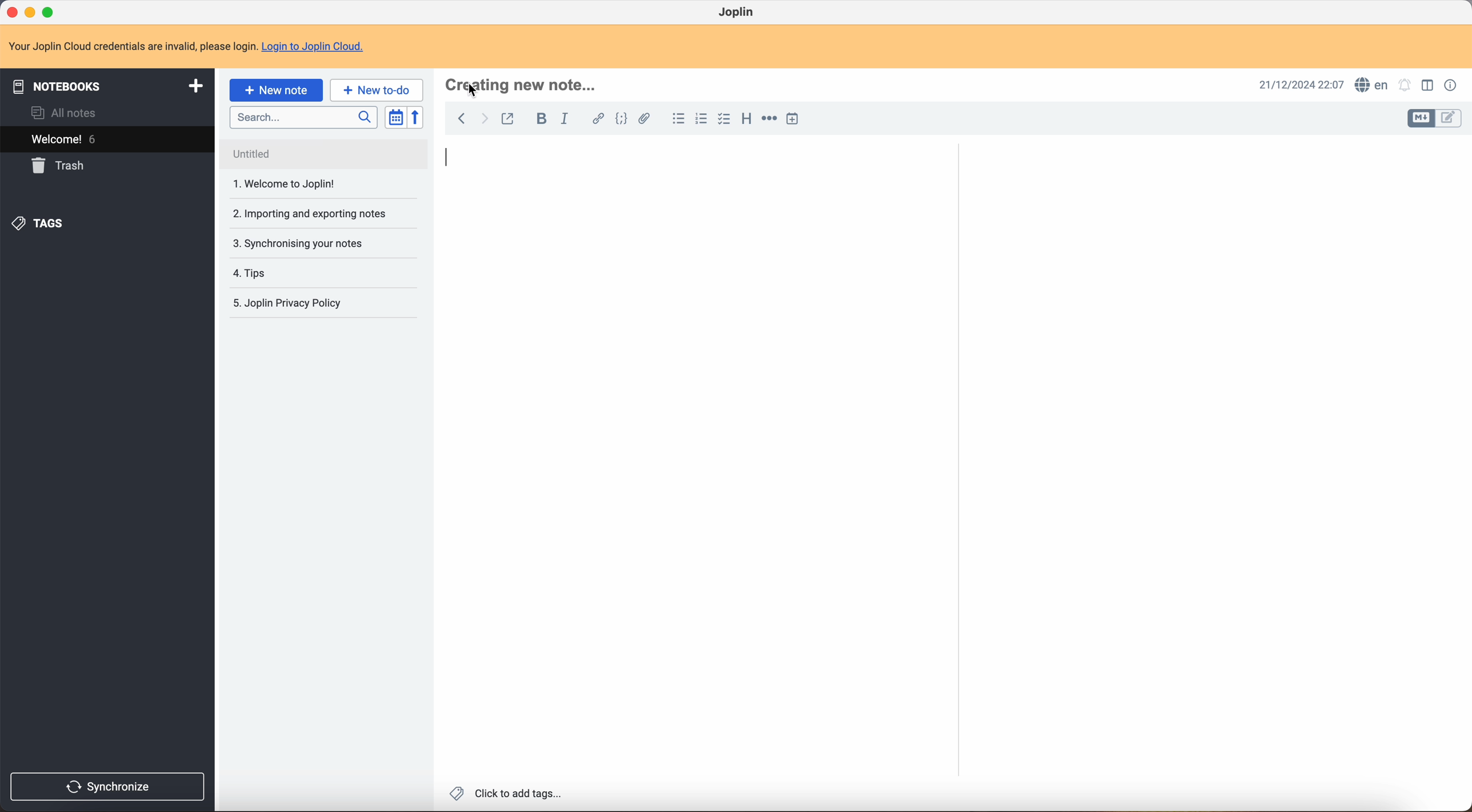 Image resolution: width=1472 pixels, height=812 pixels. What do you see at coordinates (523, 83) in the screenshot?
I see `click on title` at bounding box center [523, 83].